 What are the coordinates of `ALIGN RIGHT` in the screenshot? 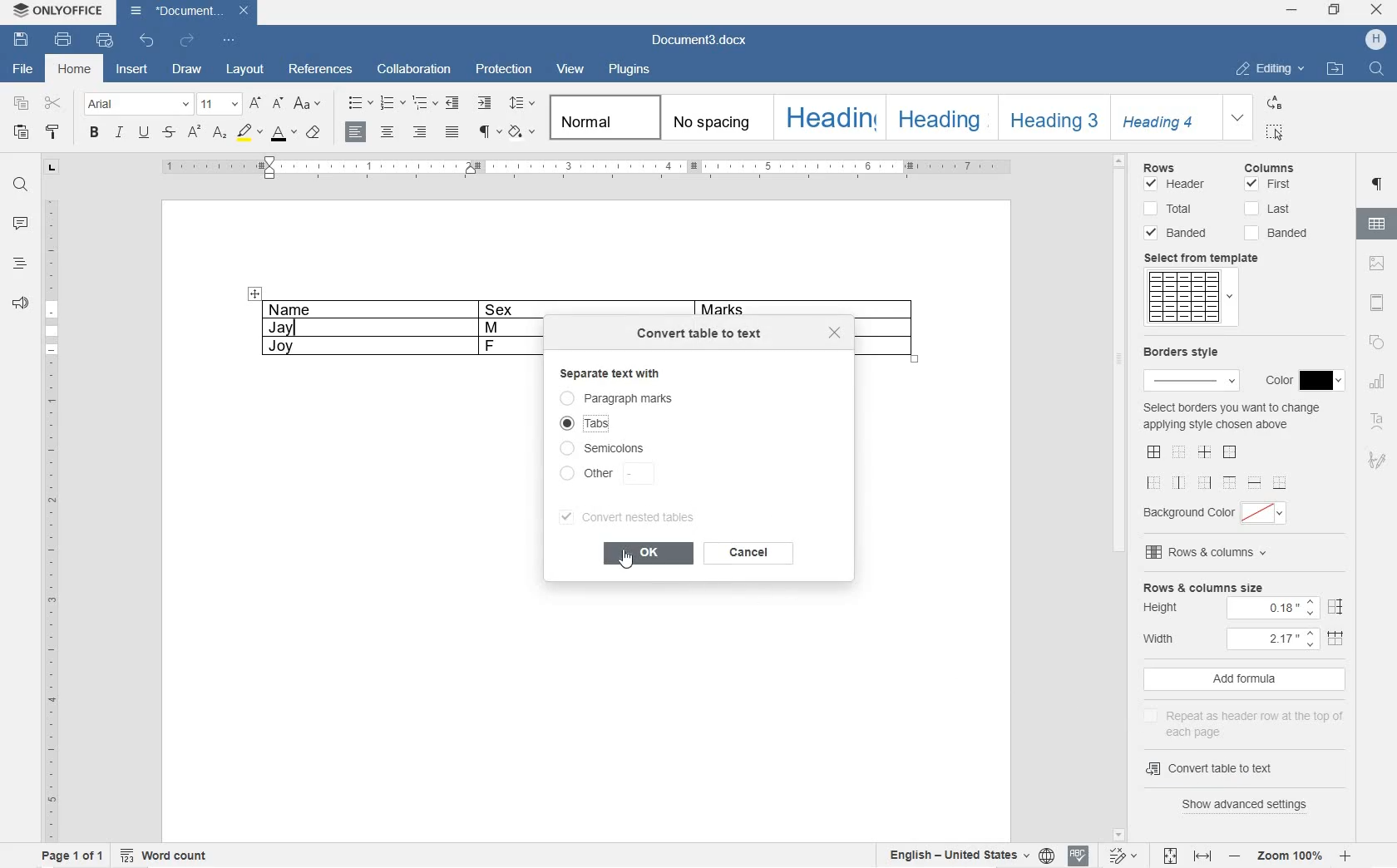 It's located at (421, 131).